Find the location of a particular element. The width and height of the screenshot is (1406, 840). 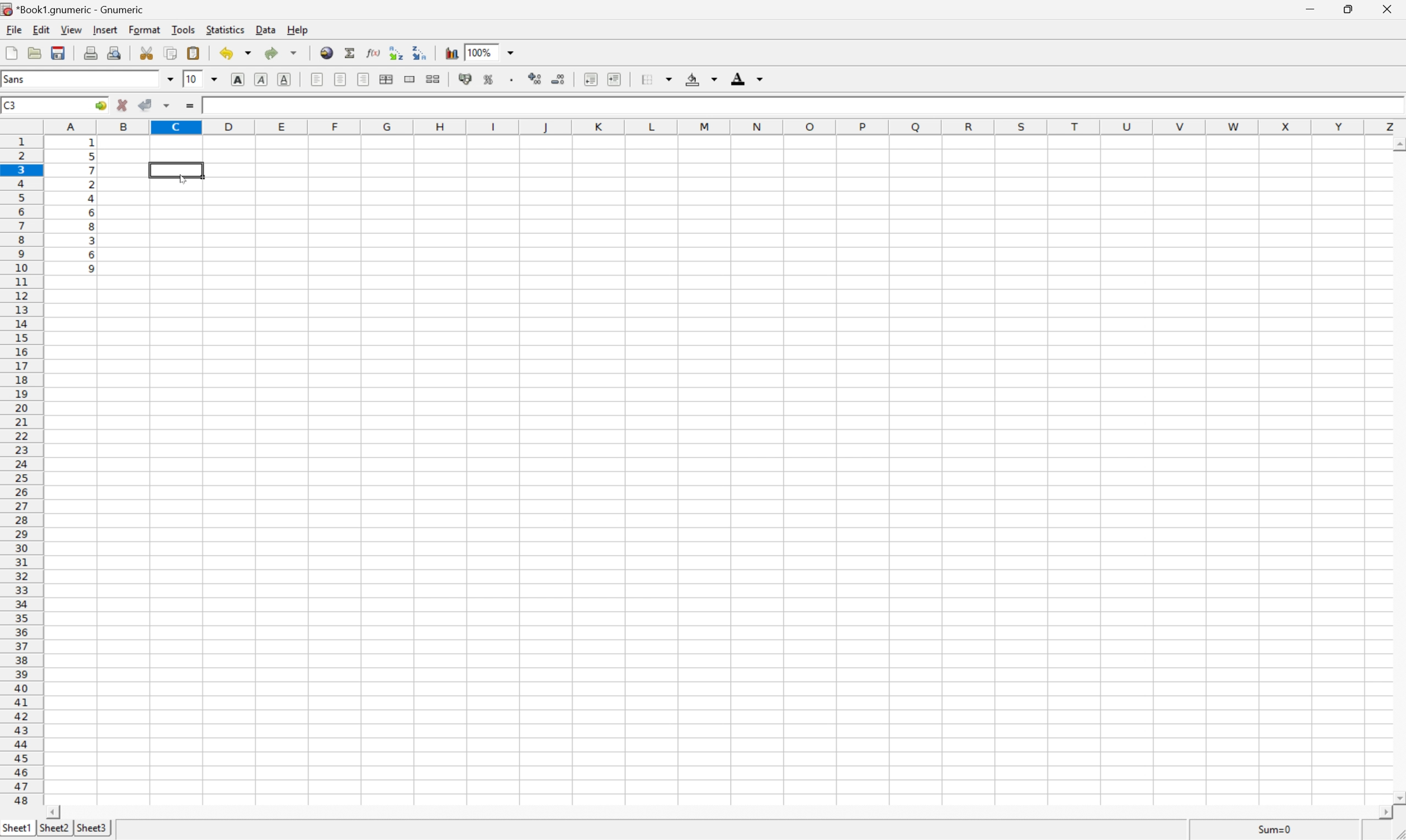

cursor is located at coordinates (185, 179).